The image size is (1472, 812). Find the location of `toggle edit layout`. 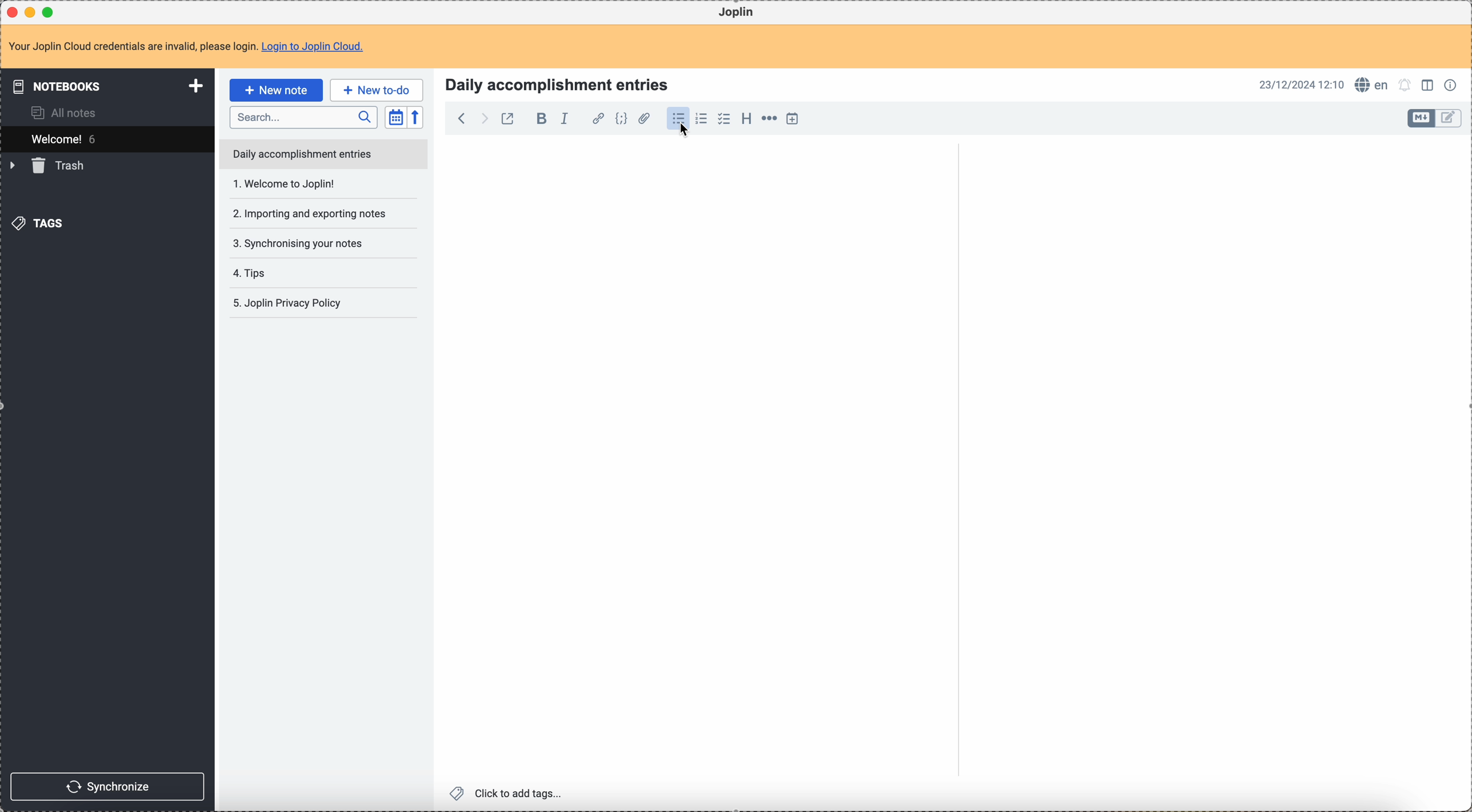

toggle edit layout is located at coordinates (1428, 84).